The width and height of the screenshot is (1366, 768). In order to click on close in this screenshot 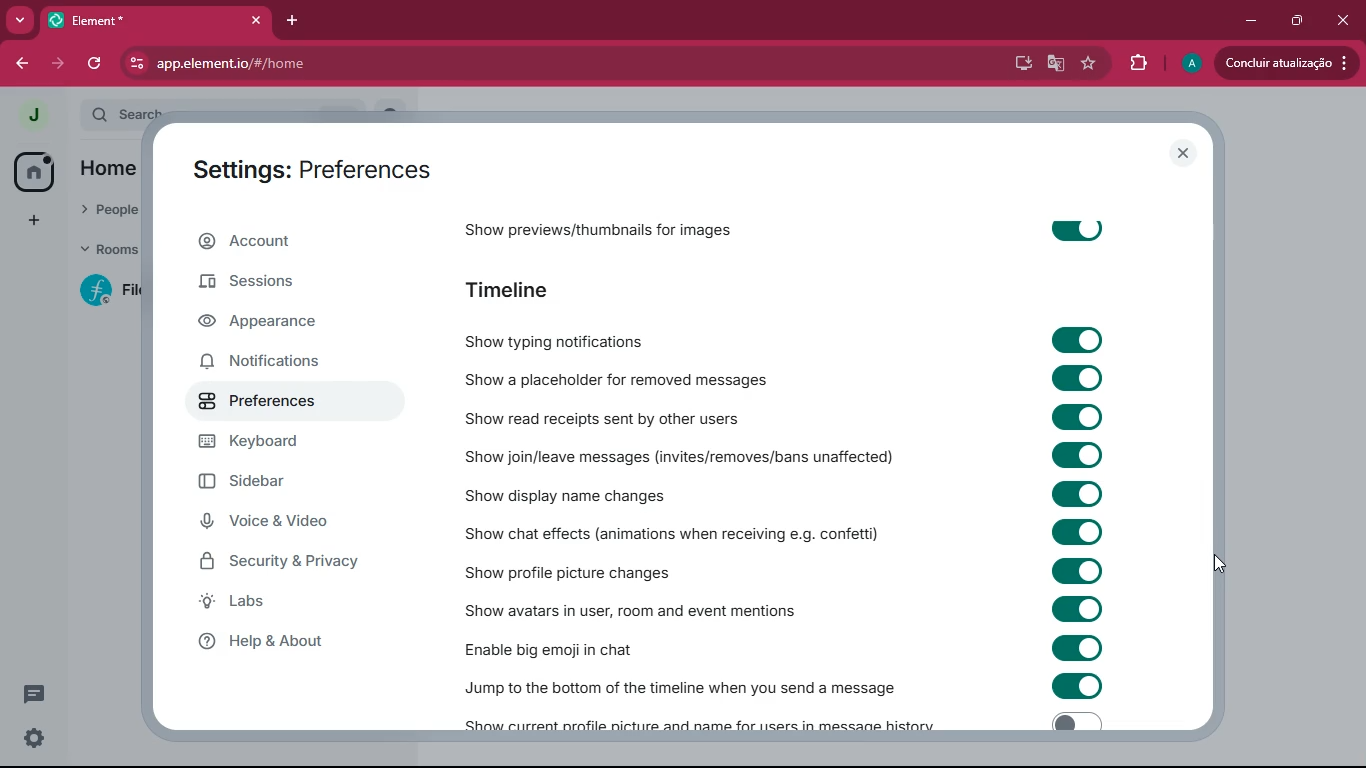, I will do `click(1184, 154)`.